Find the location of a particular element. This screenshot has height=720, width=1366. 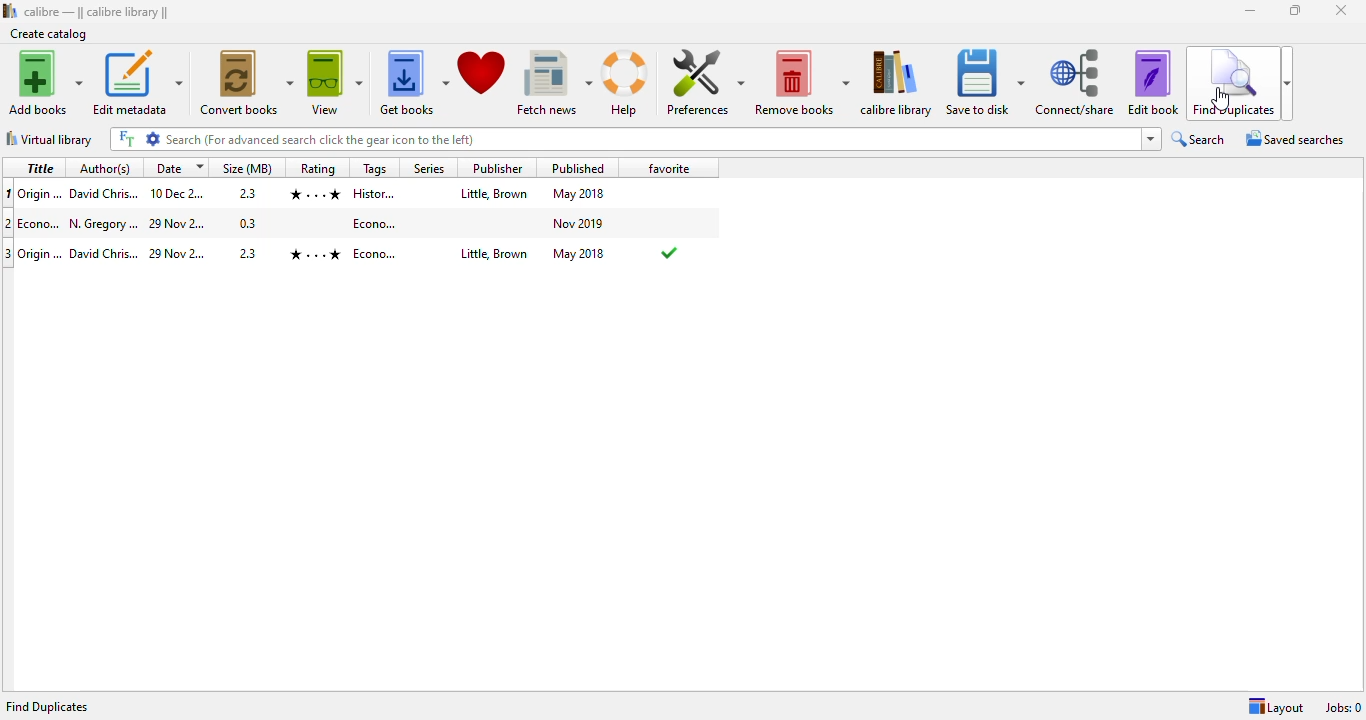

logo is located at coordinates (9, 11).